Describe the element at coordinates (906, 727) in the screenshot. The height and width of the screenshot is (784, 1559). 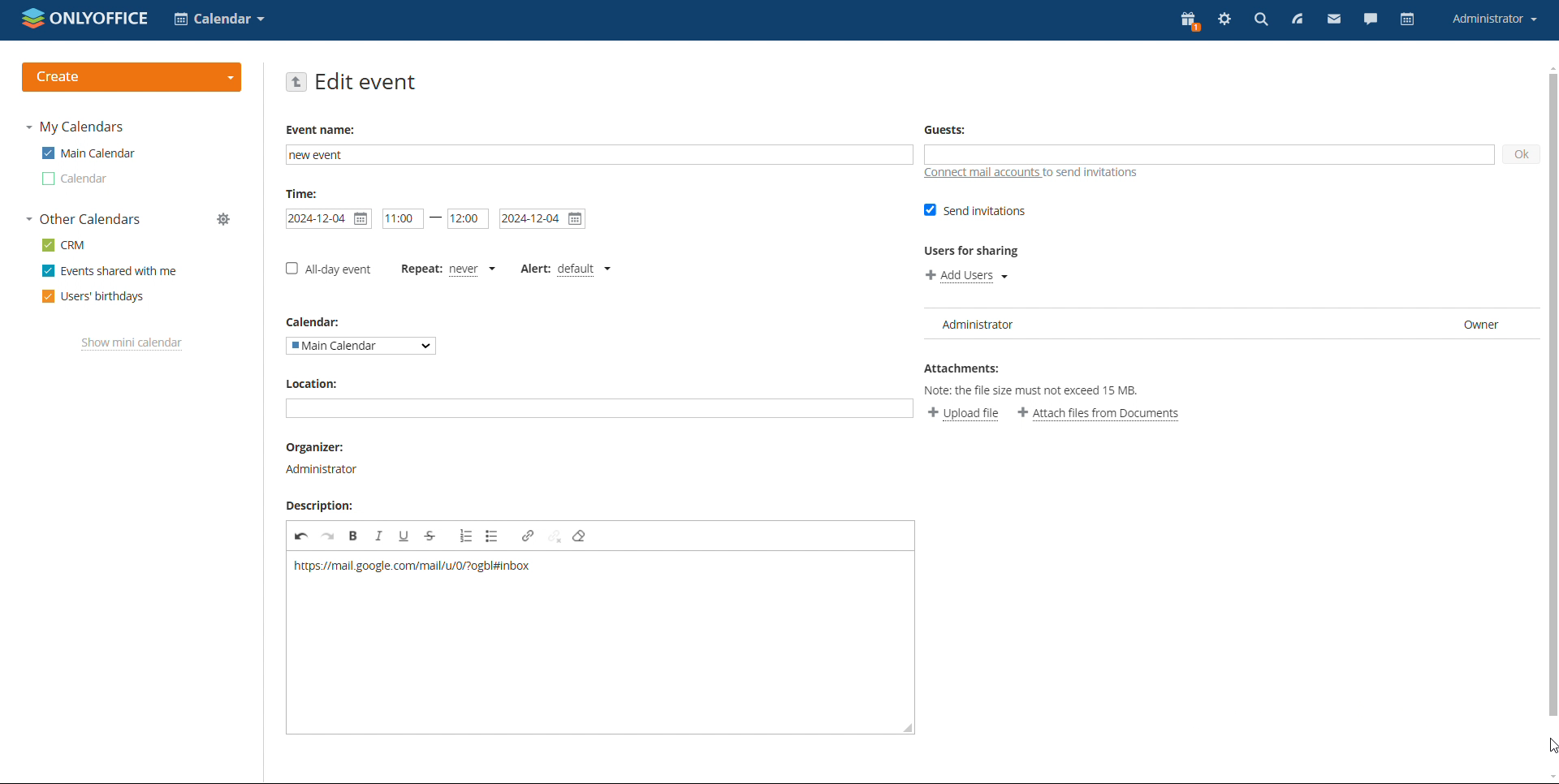
I see `resize` at that location.